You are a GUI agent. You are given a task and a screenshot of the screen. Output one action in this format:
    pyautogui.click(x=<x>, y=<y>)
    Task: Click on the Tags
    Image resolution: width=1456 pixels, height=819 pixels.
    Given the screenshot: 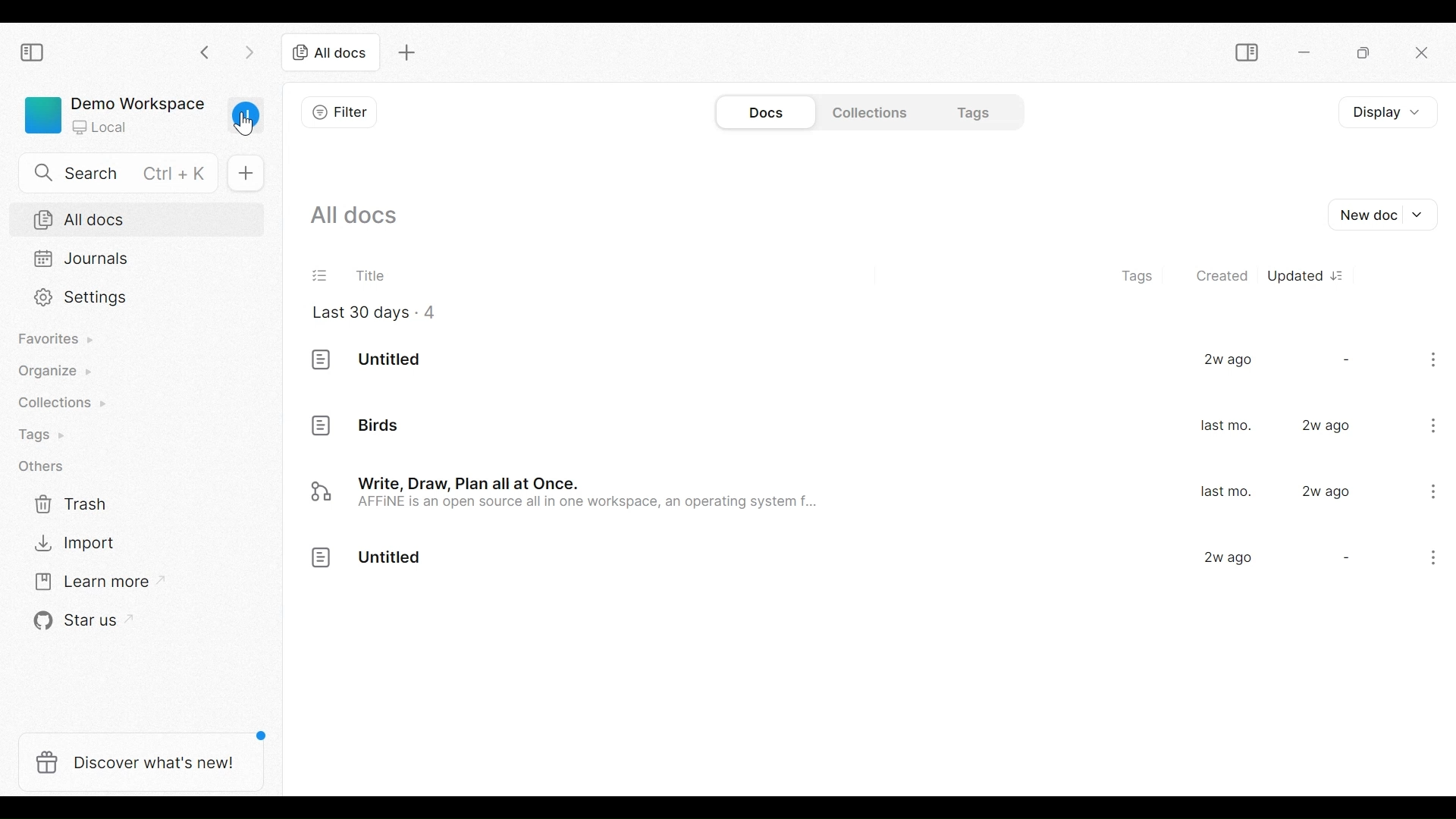 What is the action you would take?
    pyautogui.click(x=1144, y=272)
    